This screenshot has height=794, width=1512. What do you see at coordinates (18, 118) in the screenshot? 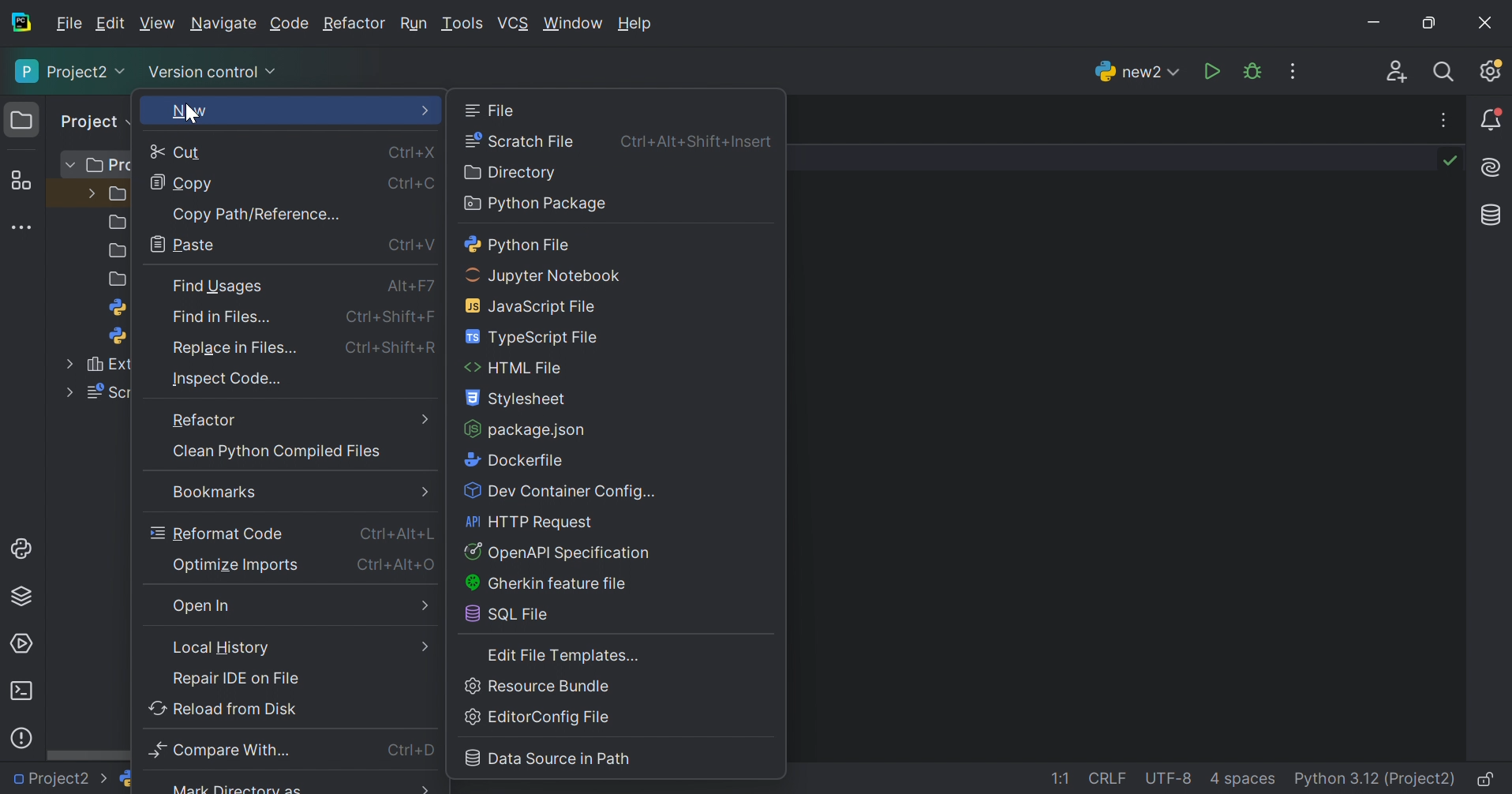
I see `Folder icon` at bounding box center [18, 118].